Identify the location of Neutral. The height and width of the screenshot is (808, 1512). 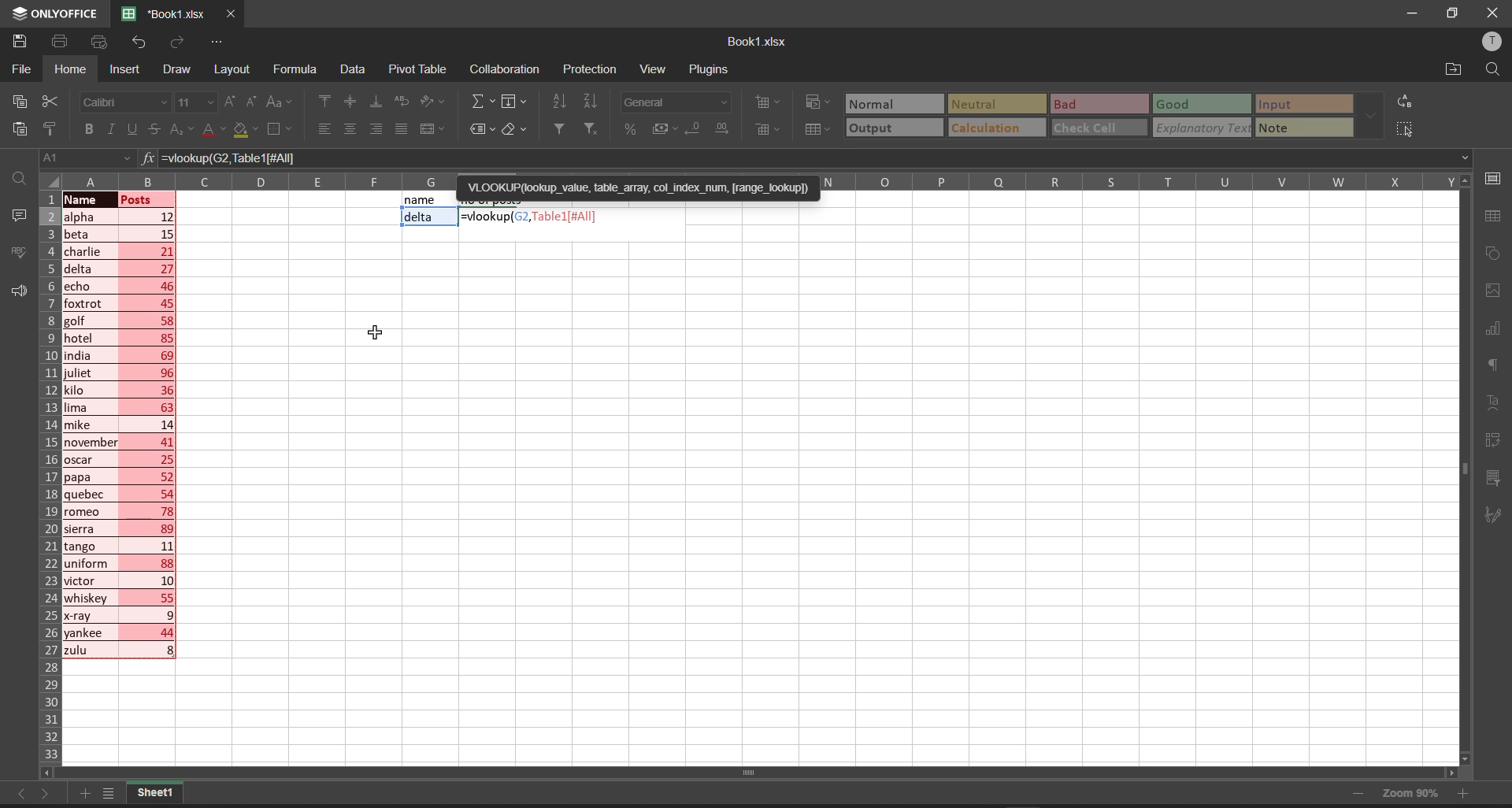
(976, 103).